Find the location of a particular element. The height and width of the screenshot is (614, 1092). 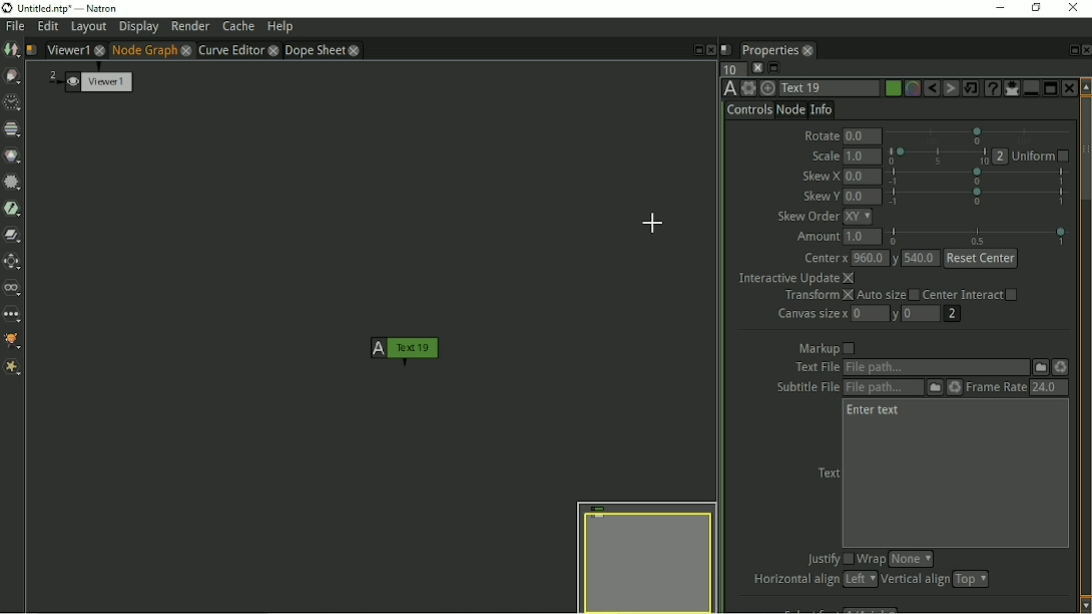

Rotate is located at coordinates (820, 134).